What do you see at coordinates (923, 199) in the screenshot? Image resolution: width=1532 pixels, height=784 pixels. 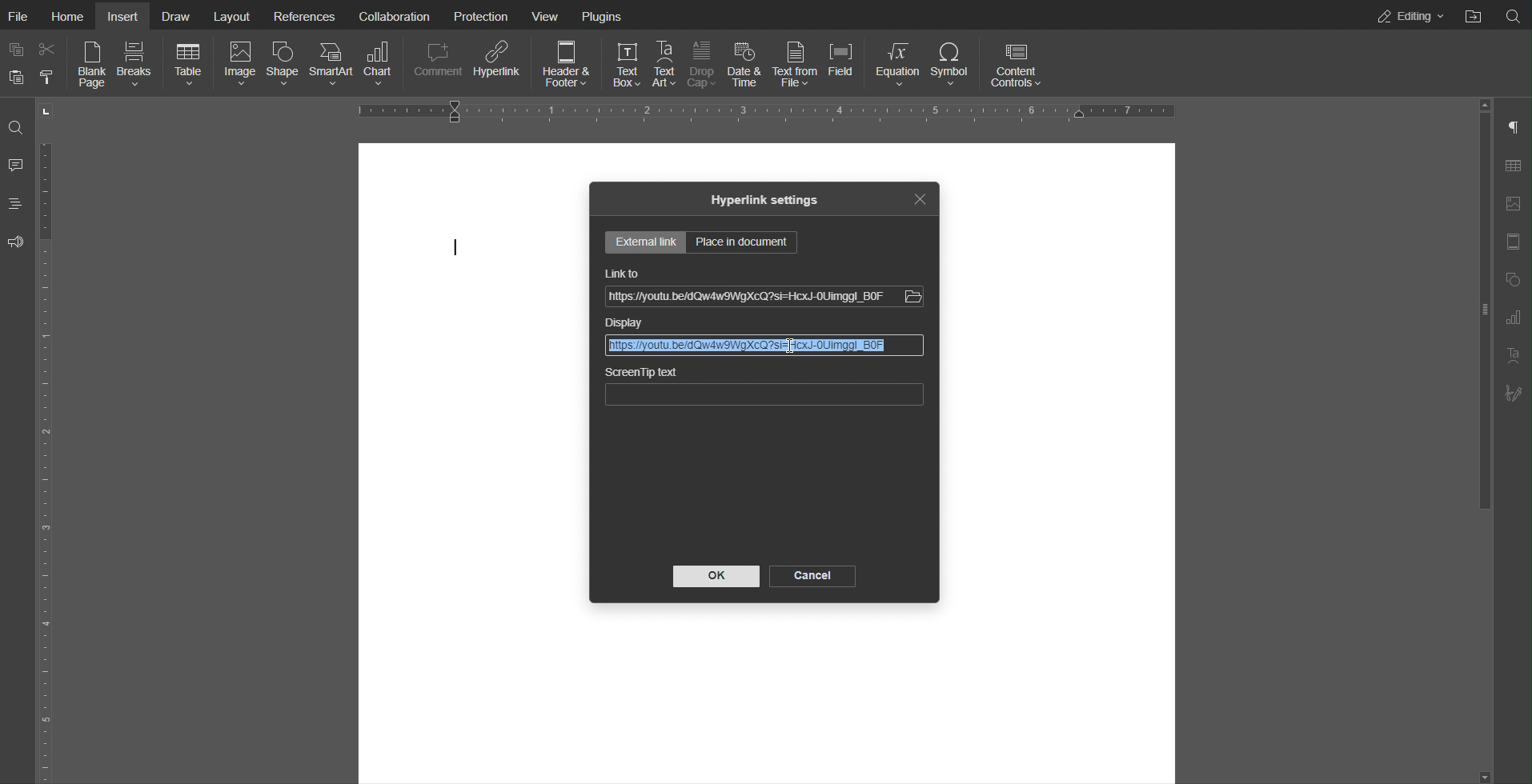 I see `Close` at bounding box center [923, 199].